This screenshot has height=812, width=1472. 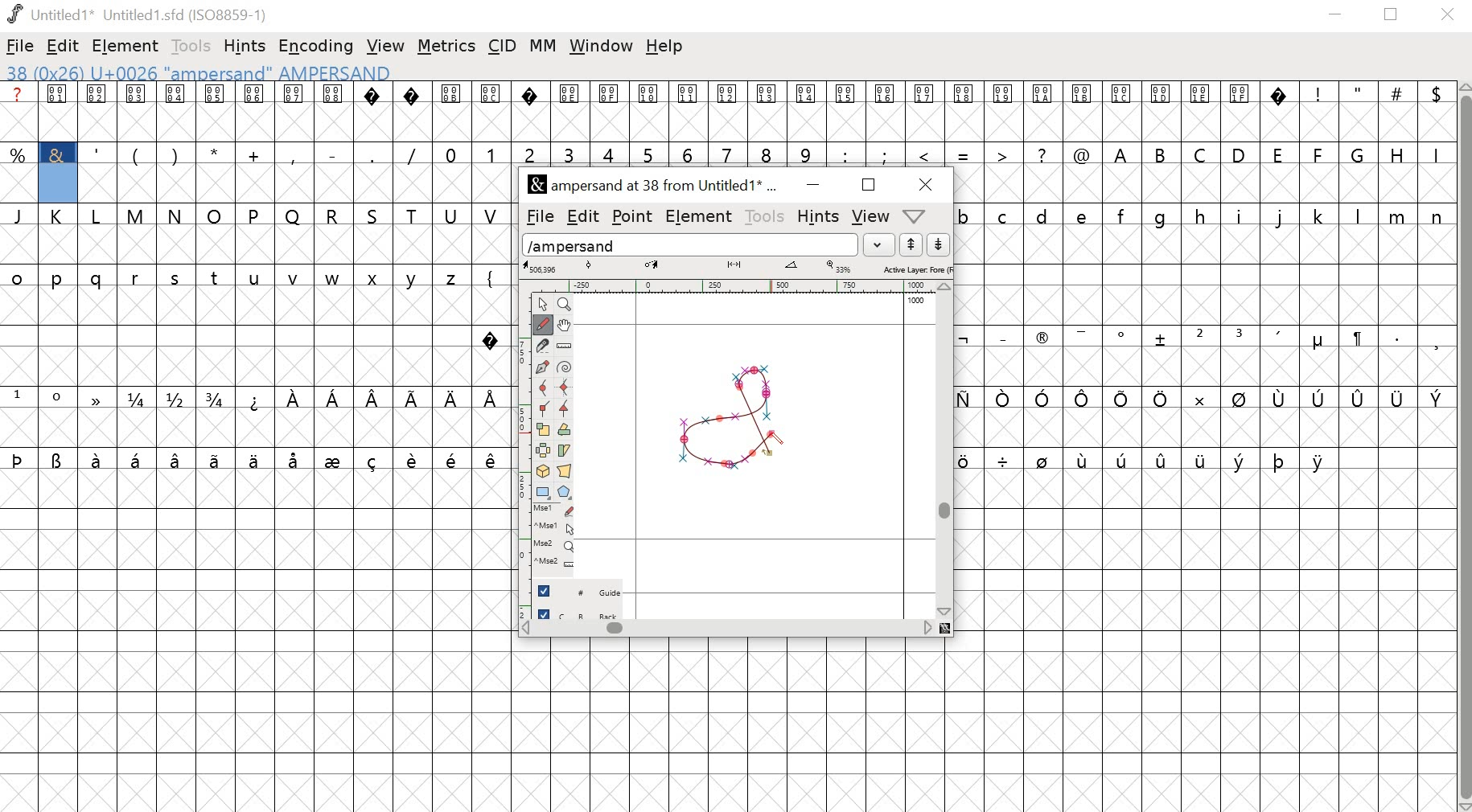 What do you see at coordinates (543, 491) in the screenshot?
I see `rectangle and ellipse` at bounding box center [543, 491].